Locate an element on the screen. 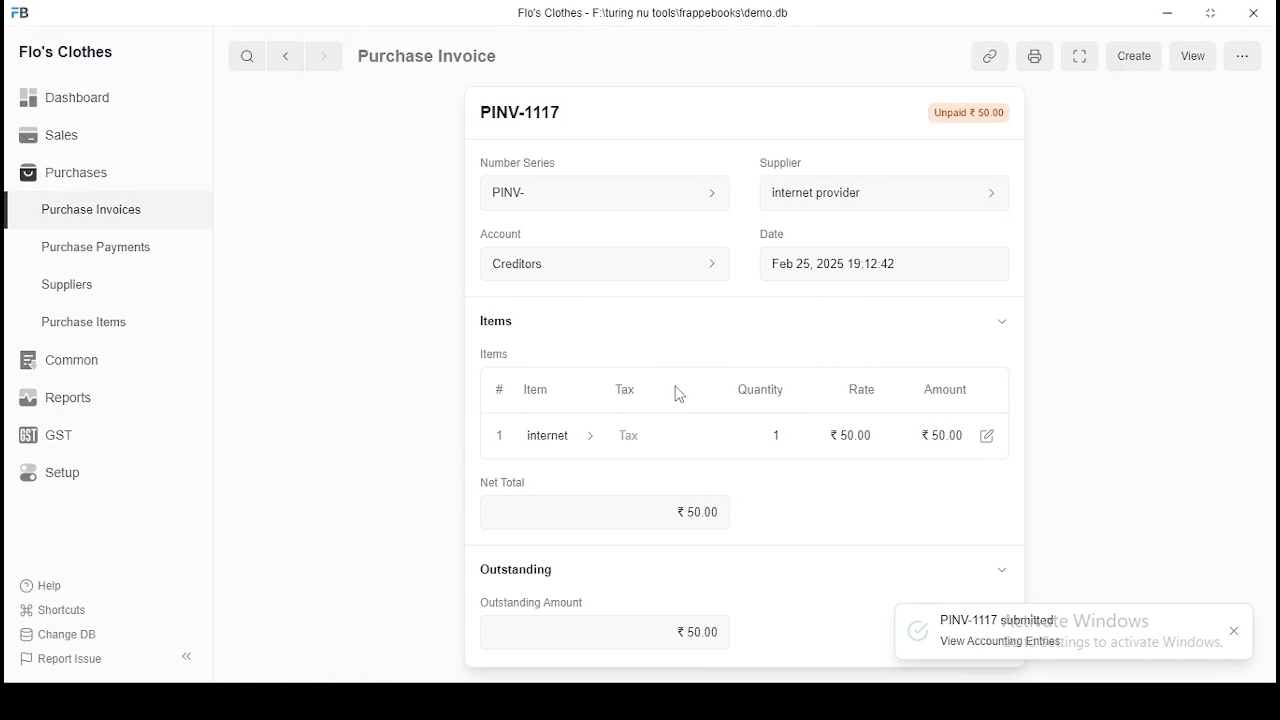 The height and width of the screenshot is (720, 1280). gst is located at coordinates (46, 437).